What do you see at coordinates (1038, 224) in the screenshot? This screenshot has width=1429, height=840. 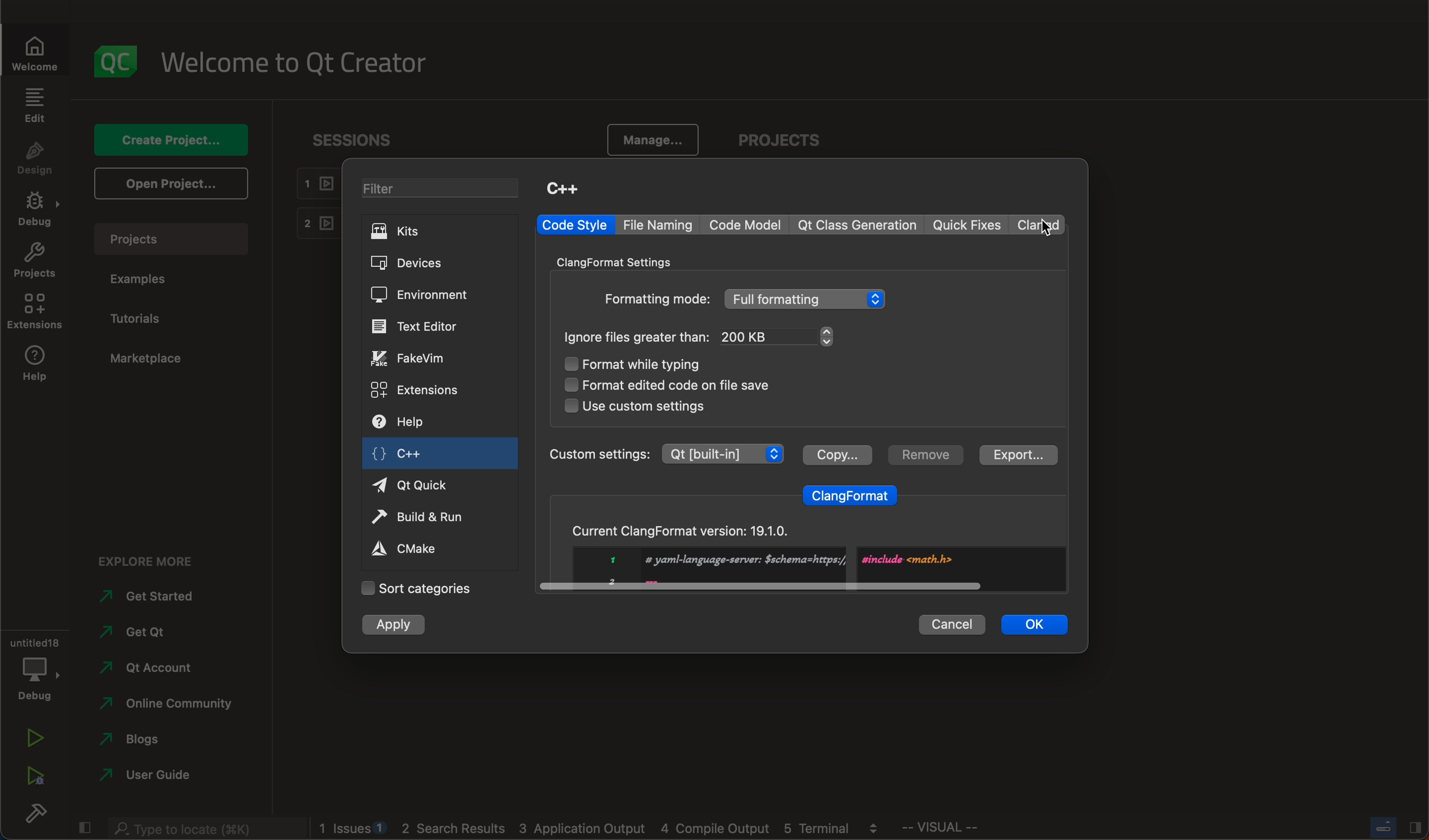 I see `clangd` at bounding box center [1038, 224].